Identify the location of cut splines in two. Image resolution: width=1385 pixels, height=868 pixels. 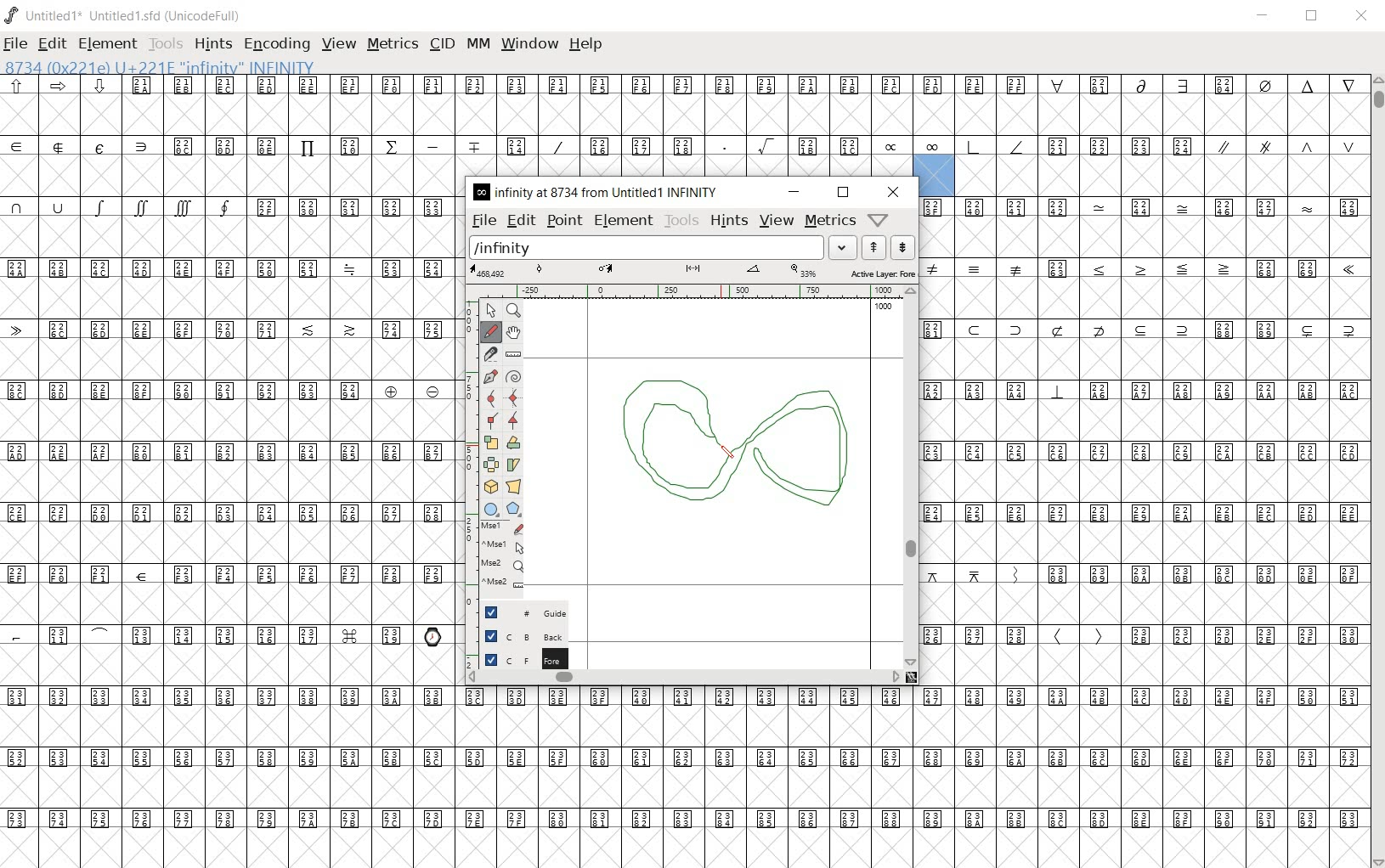
(489, 352).